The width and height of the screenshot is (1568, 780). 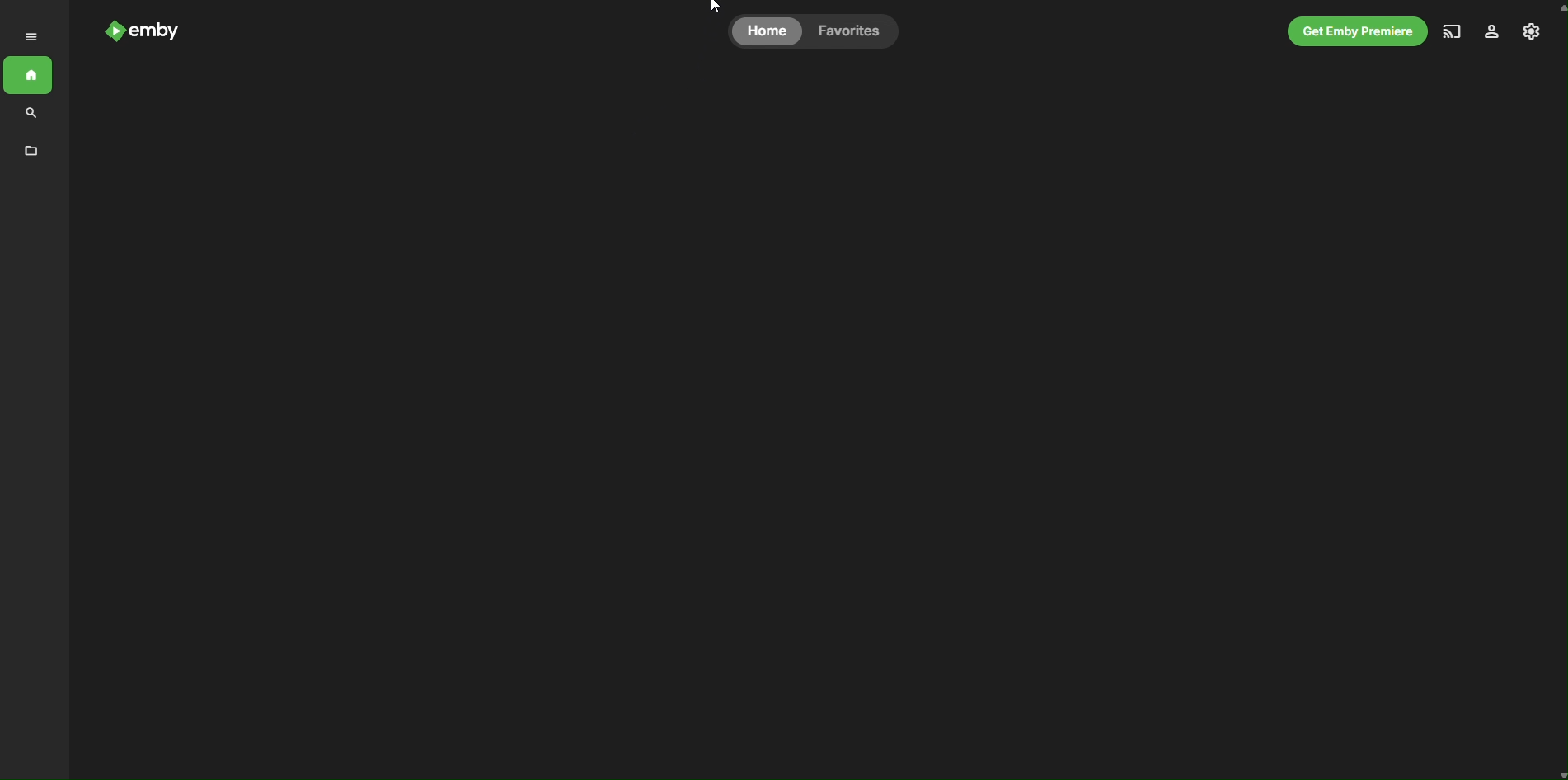 What do you see at coordinates (31, 152) in the screenshot?
I see `Files` at bounding box center [31, 152].